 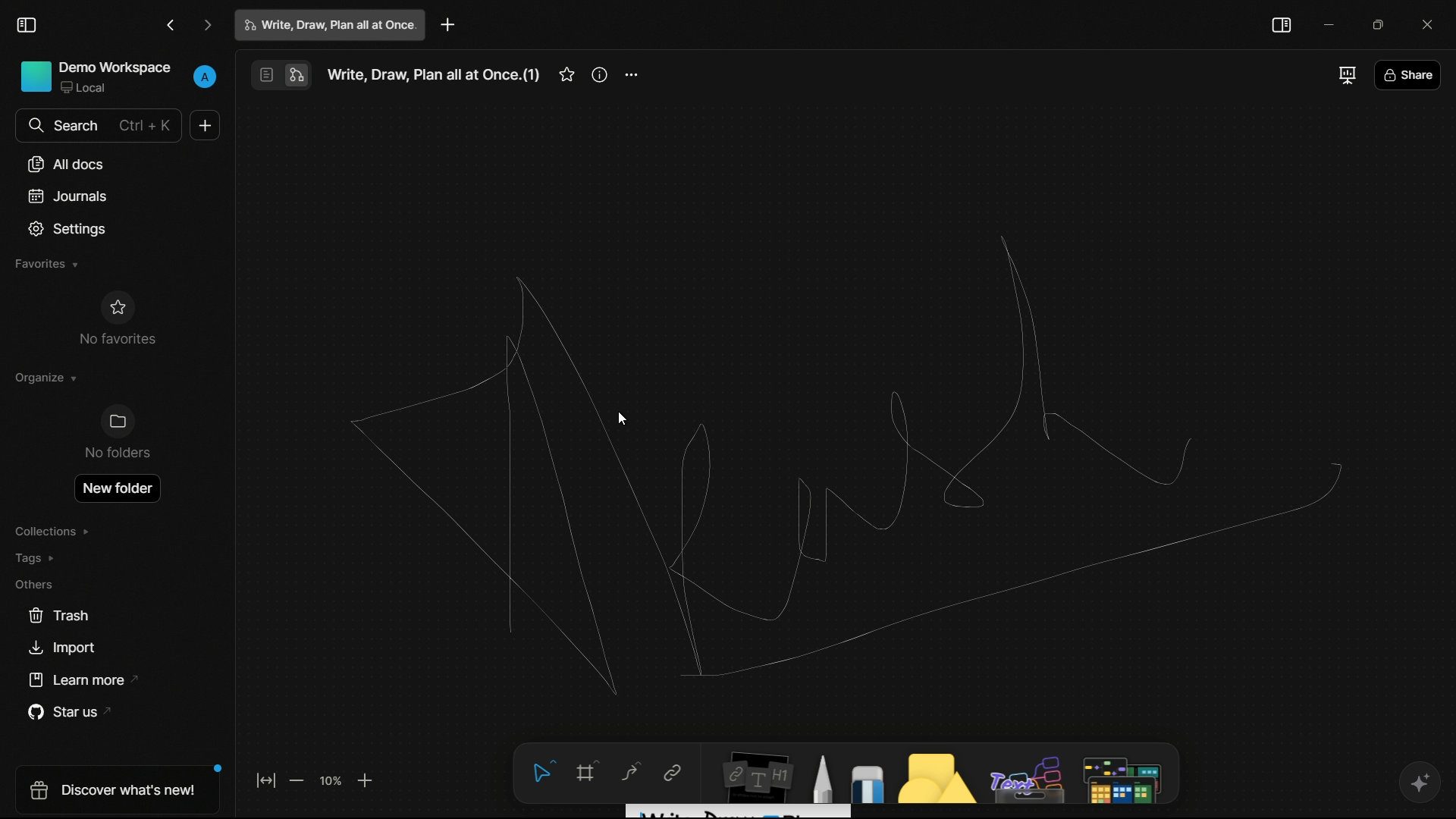 I want to click on full screen, so click(x=1345, y=77).